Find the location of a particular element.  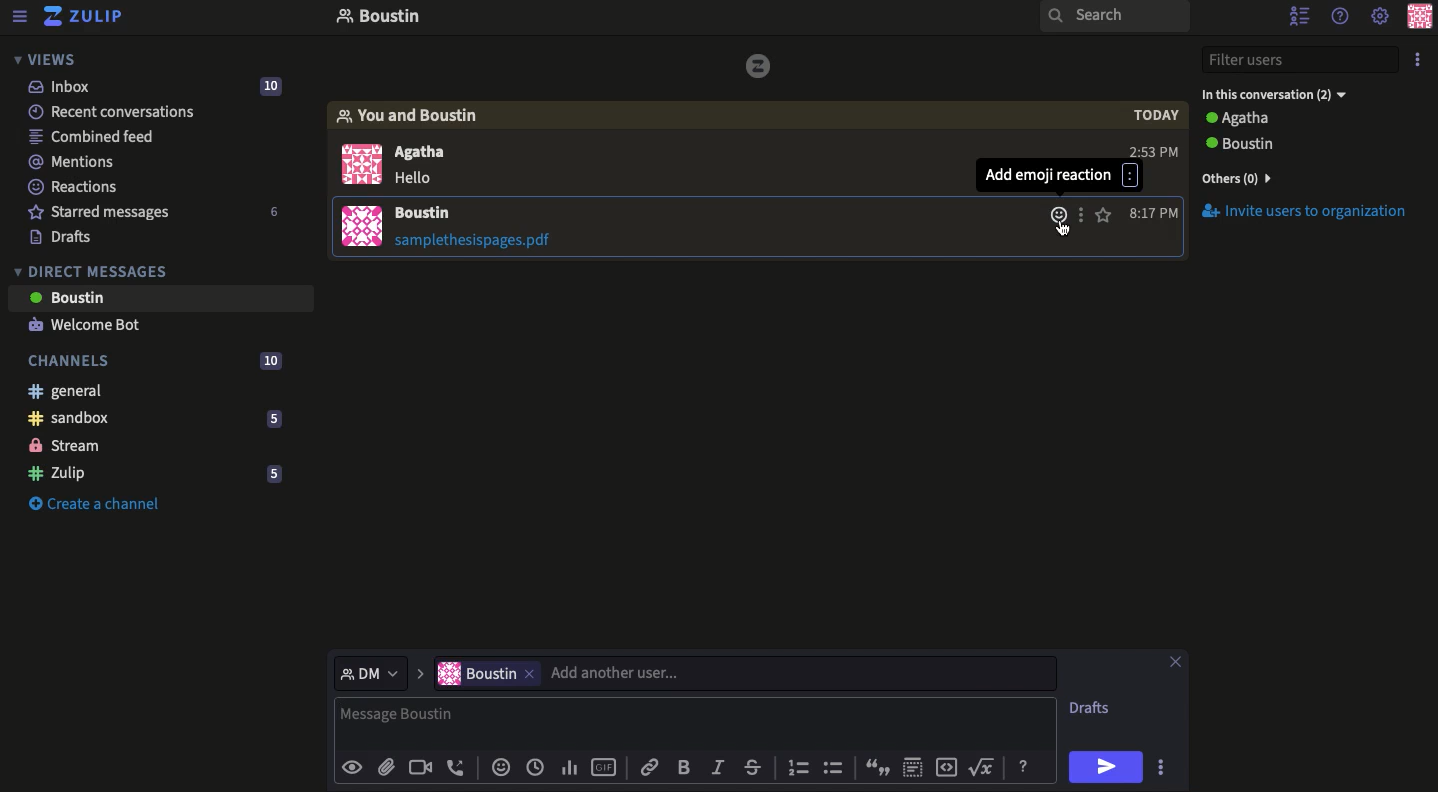

Zulip is located at coordinates (84, 15).